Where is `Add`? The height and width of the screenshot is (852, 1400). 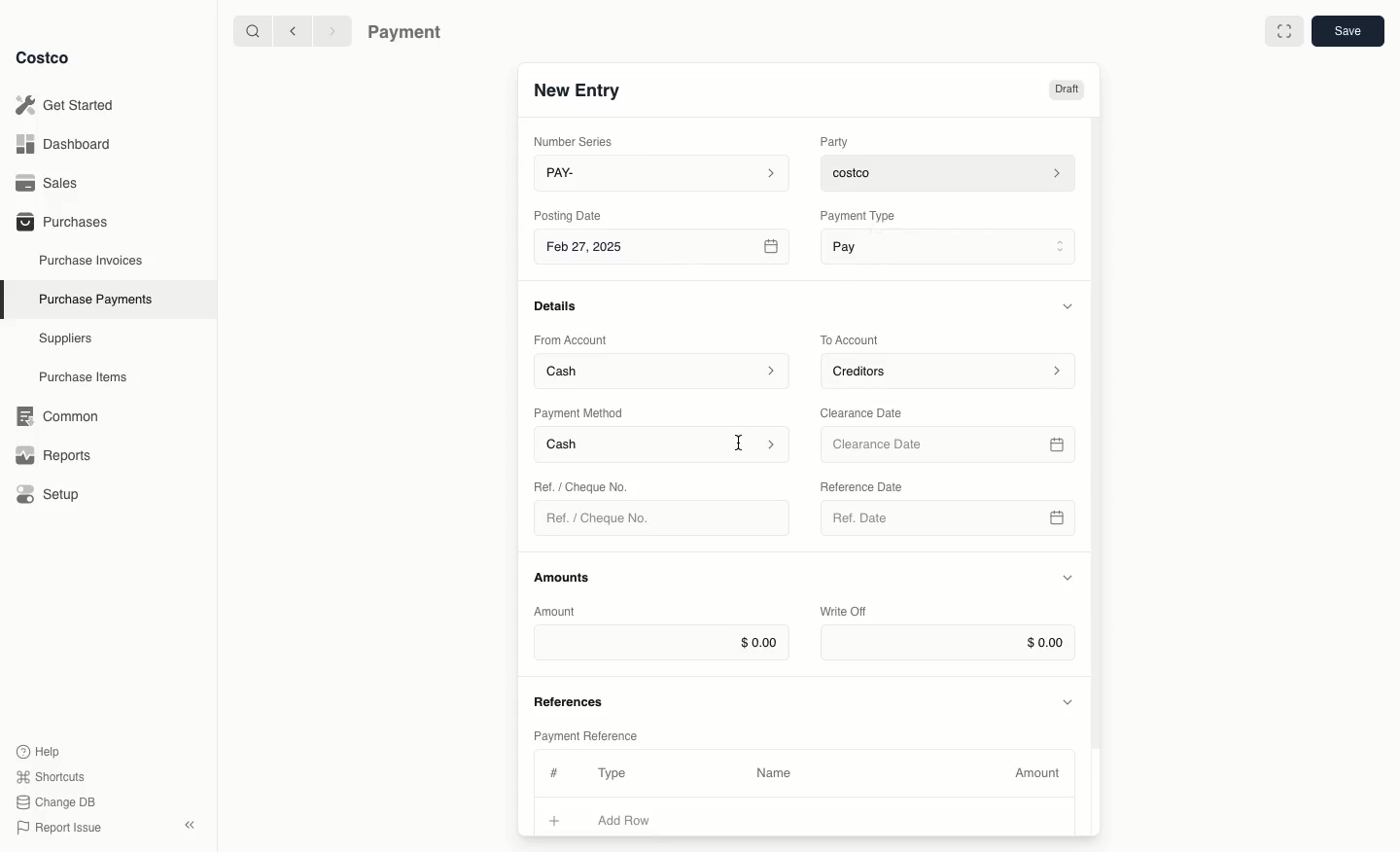
Add is located at coordinates (555, 818).